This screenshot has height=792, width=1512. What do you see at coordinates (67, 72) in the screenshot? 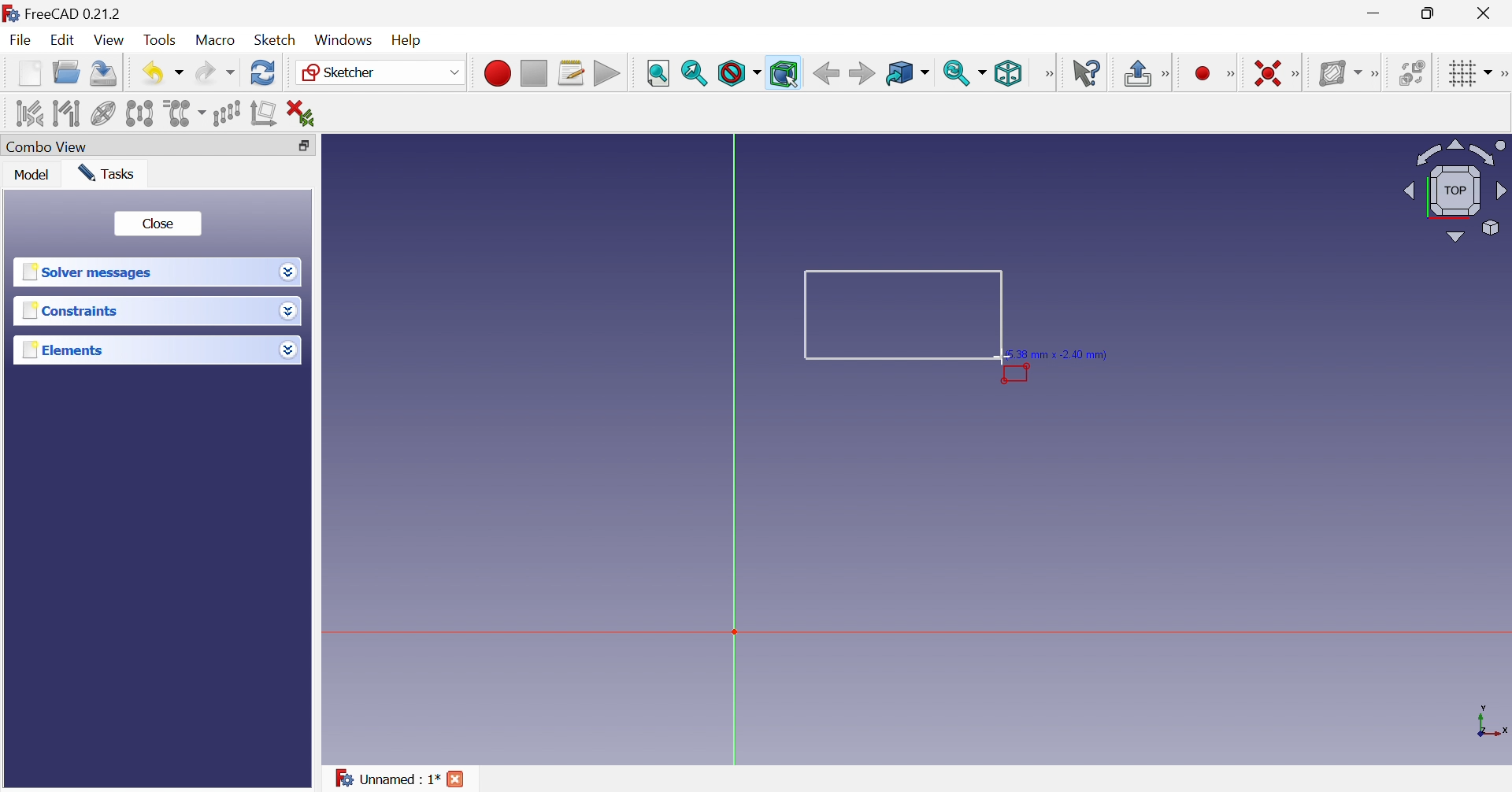
I see `Open` at bounding box center [67, 72].